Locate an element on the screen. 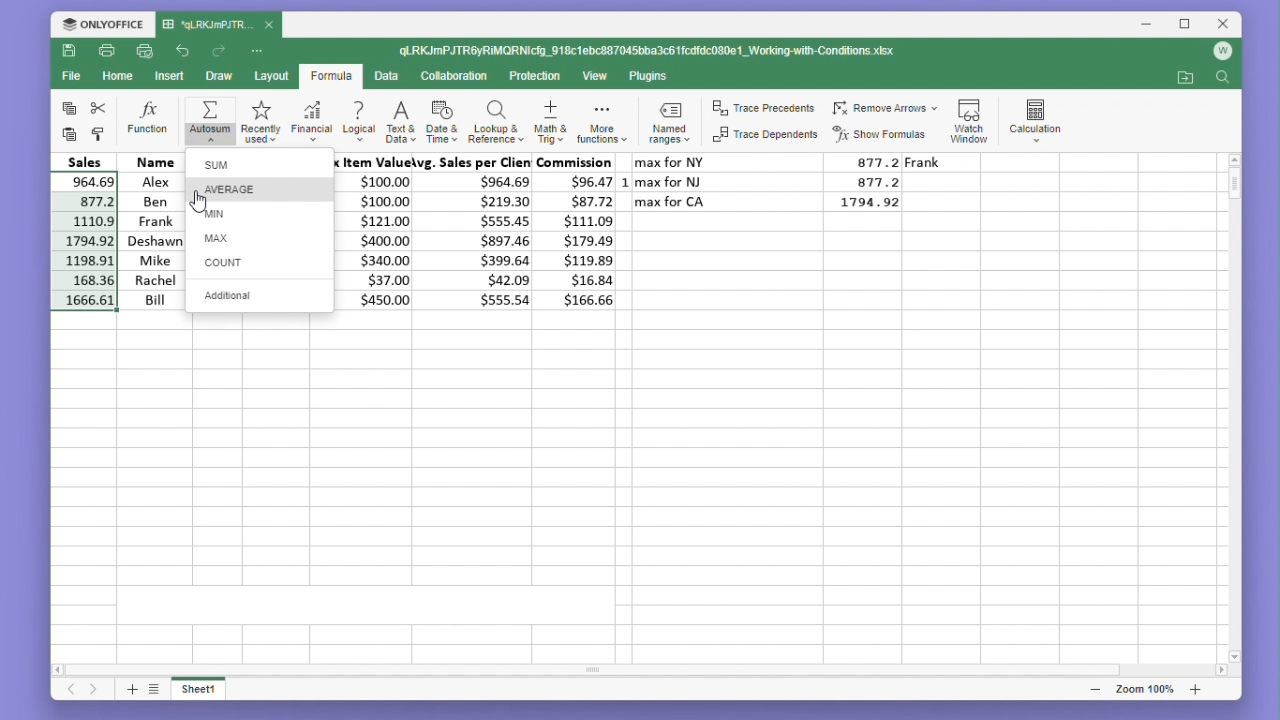  Redo is located at coordinates (220, 51).